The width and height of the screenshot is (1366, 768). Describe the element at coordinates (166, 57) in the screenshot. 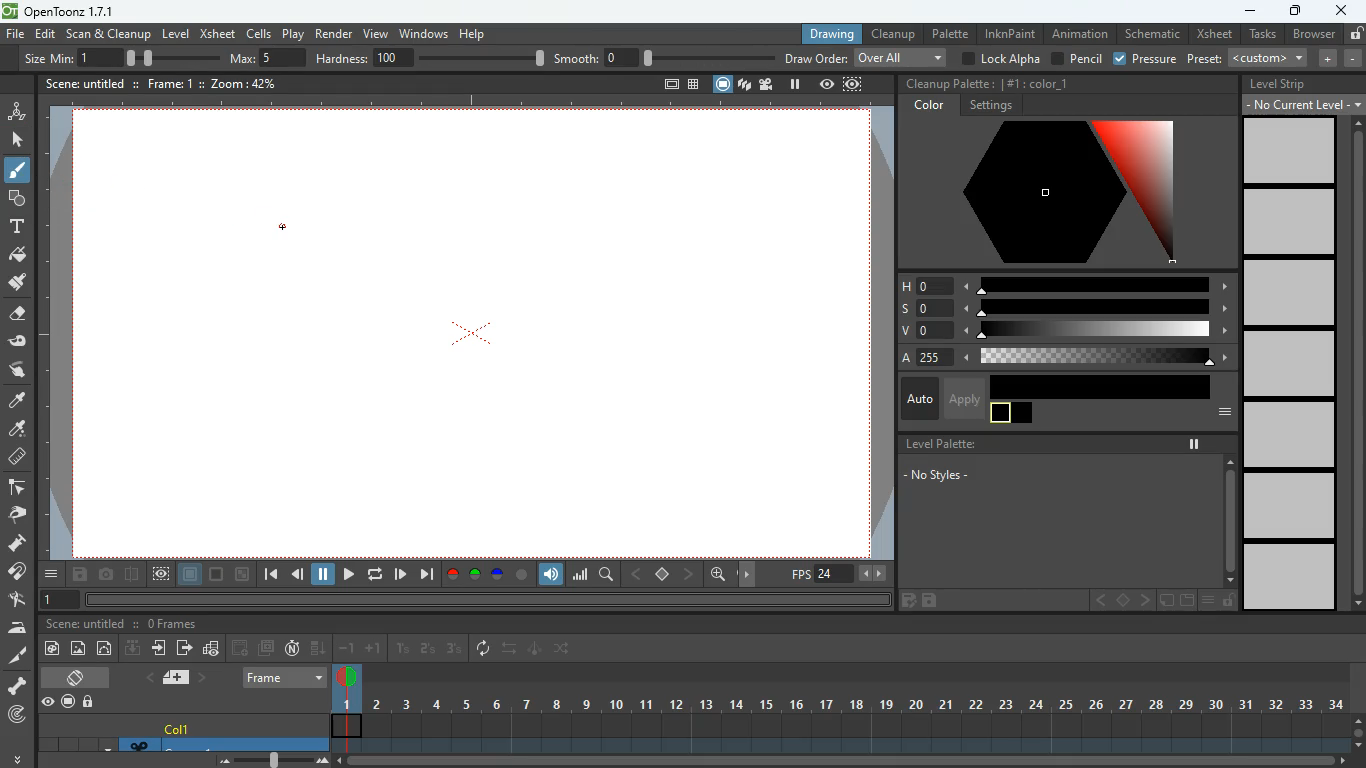

I see `size` at that location.